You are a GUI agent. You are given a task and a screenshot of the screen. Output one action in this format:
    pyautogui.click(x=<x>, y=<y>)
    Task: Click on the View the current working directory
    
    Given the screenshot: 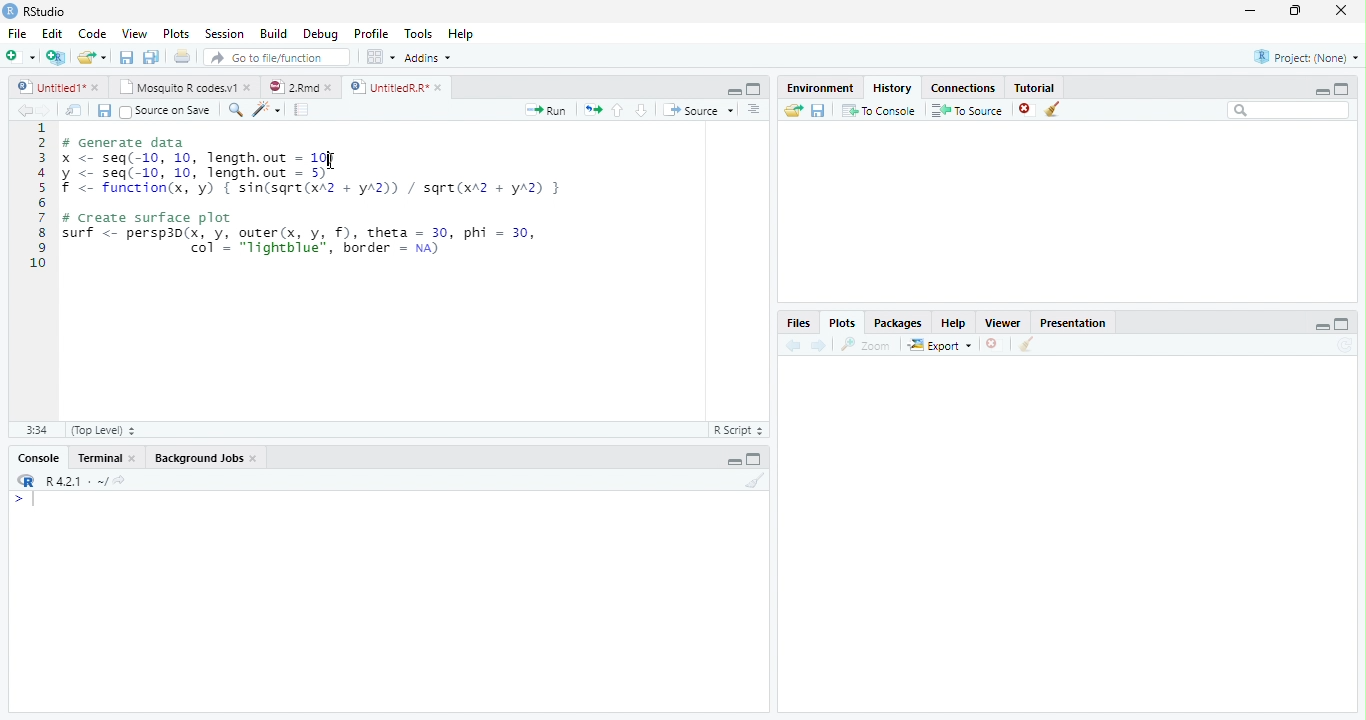 What is the action you would take?
    pyautogui.click(x=120, y=478)
    